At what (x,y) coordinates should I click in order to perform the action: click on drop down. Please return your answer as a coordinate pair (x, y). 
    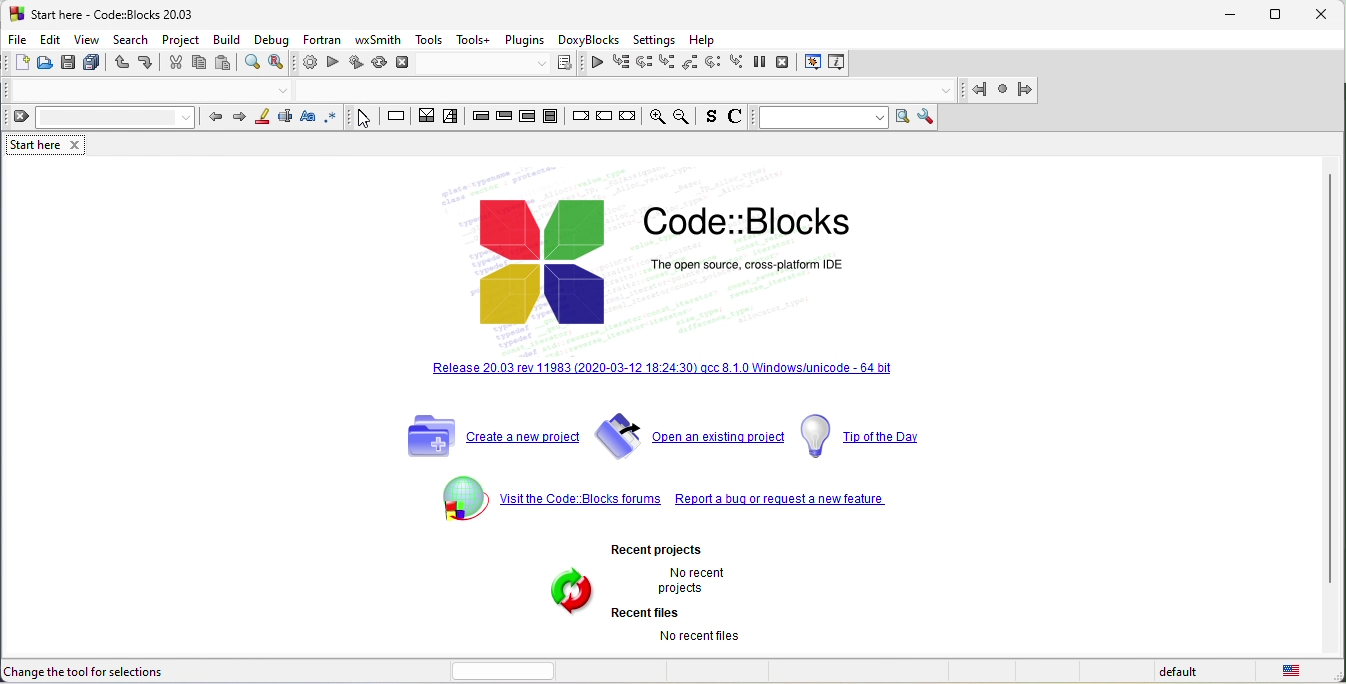
    Looking at the image, I should click on (944, 89).